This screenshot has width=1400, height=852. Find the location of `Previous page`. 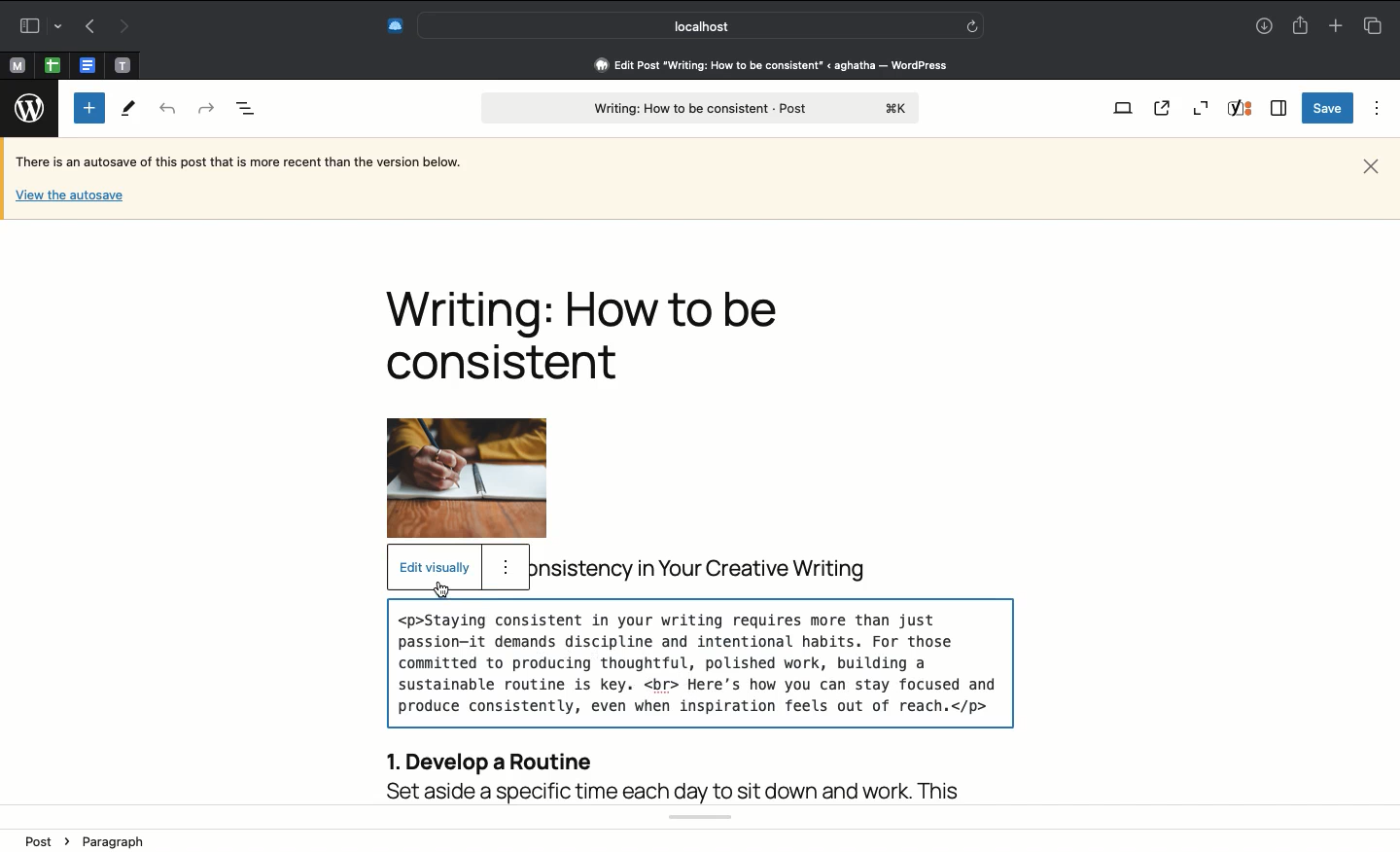

Previous page is located at coordinates (87, 27).